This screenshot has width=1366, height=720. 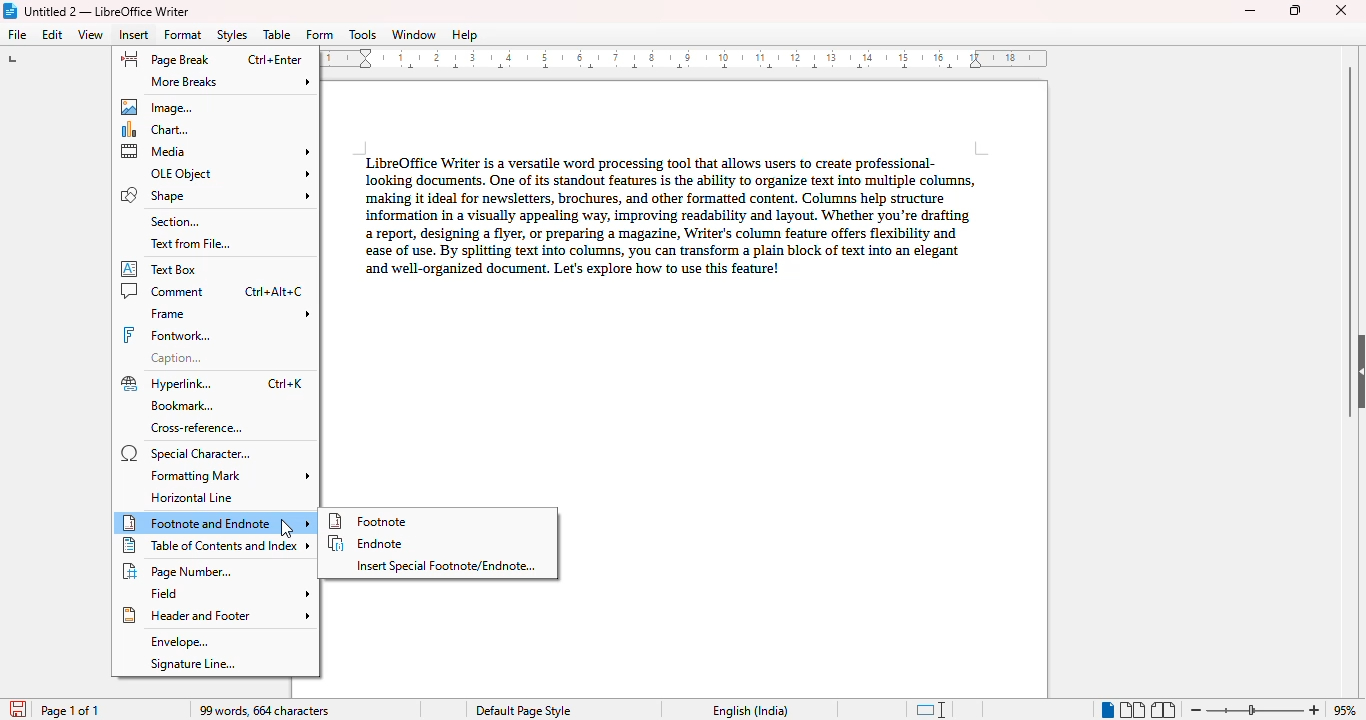 What do you see at coordinates (212, 384) in the screenshot?
I see `hyperlink` at bounding box center [212, 384].